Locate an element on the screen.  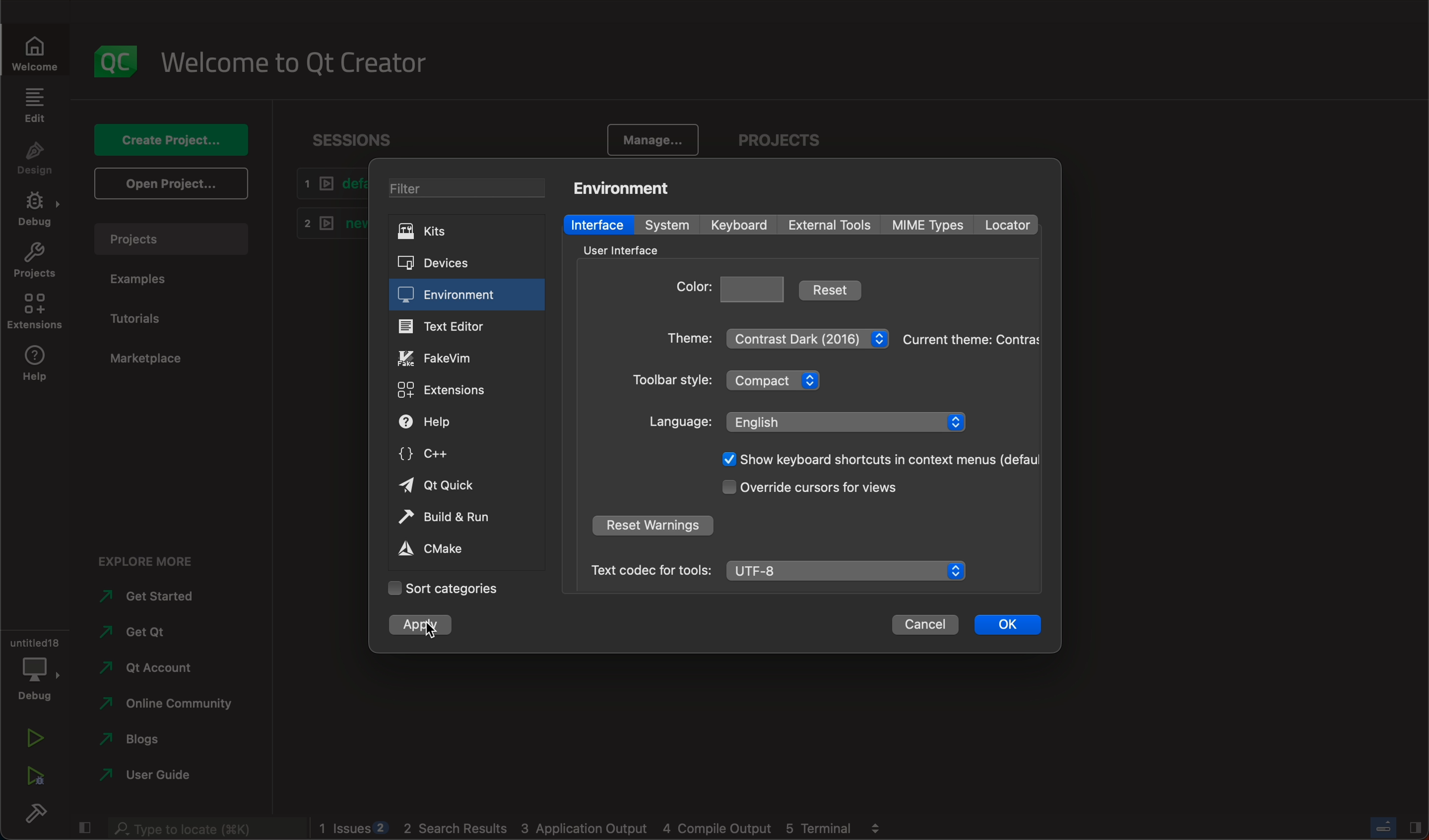
categories is located at coordinates (442, 588).